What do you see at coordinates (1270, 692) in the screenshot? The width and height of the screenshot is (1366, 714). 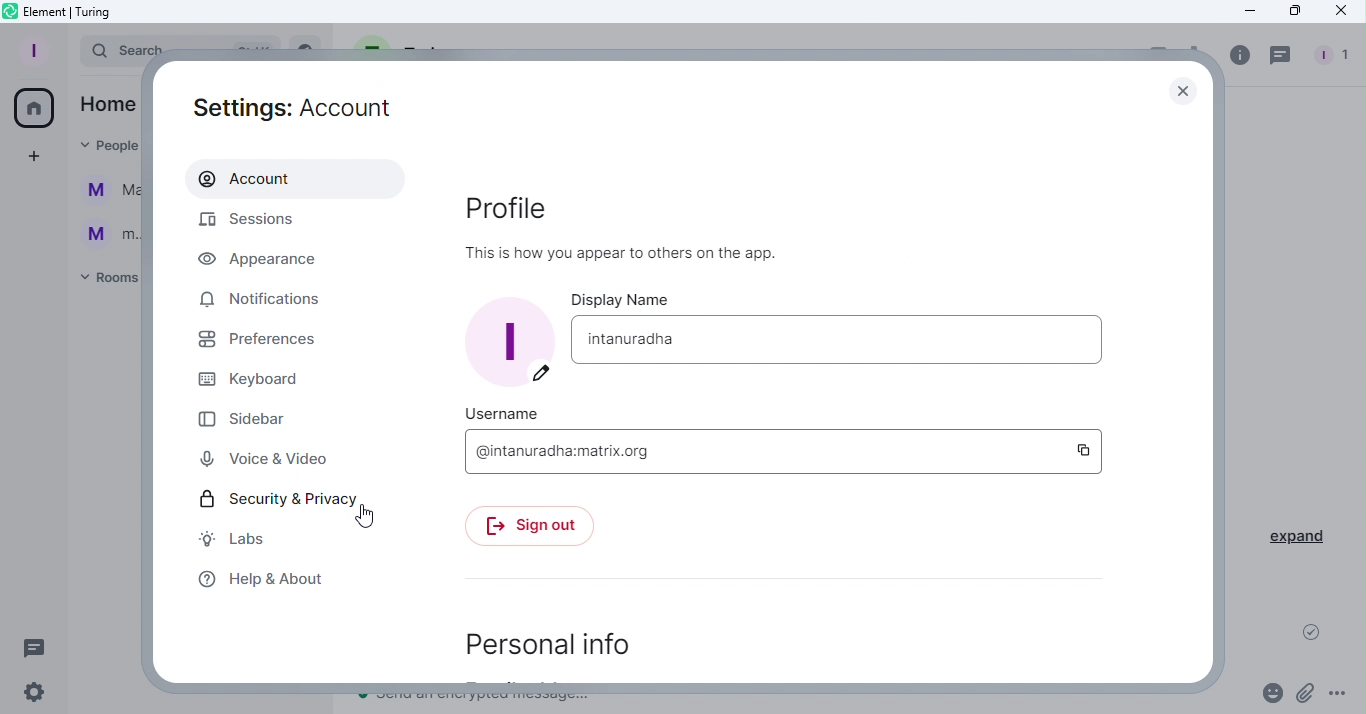 I see `Emoji` at bounding box center [1270, 692].